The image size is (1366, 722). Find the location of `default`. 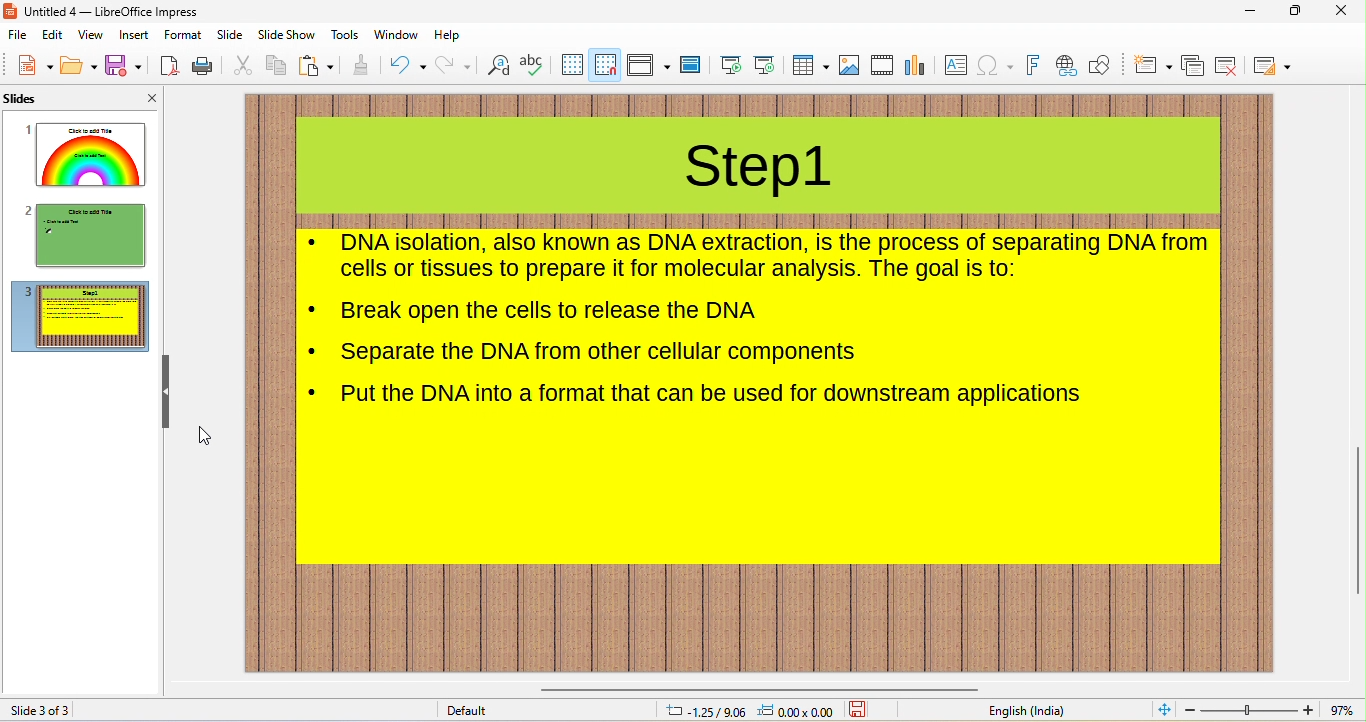

default is located at coordinates (475, 712).